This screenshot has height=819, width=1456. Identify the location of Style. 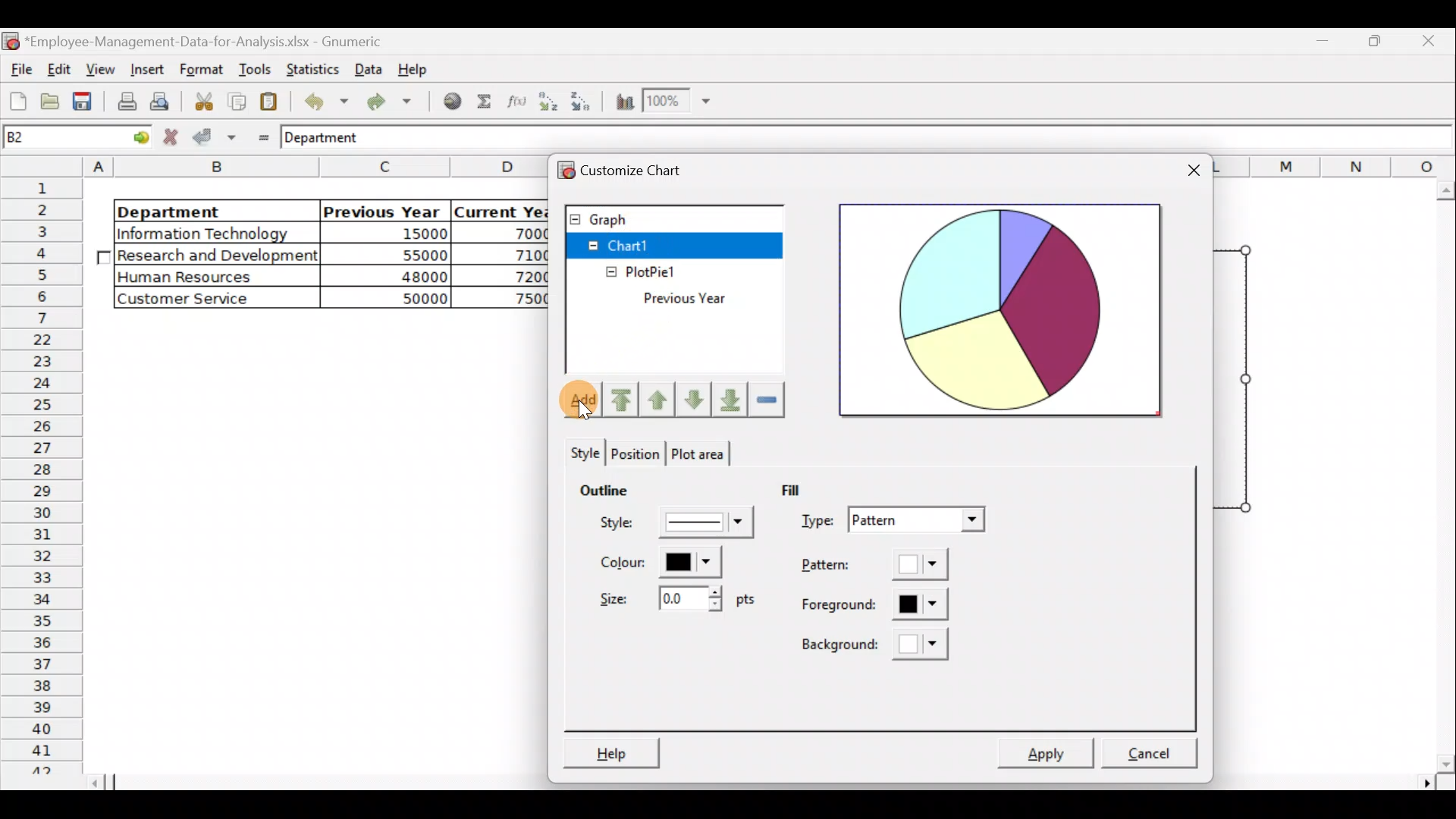
(578, 451).